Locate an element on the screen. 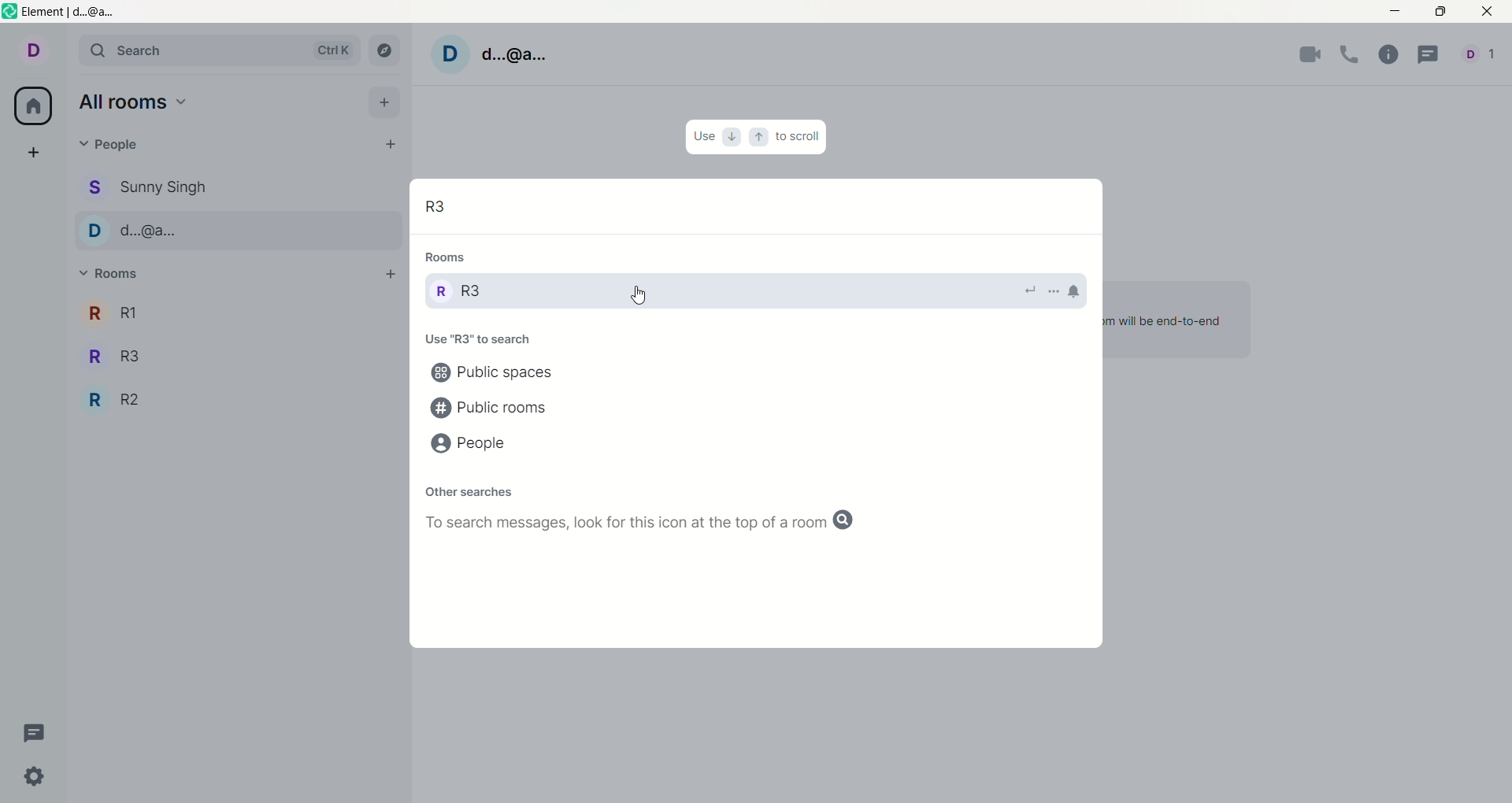 This screenshot has width=1512, height=803. voice call is located at coordinates (1352, 57).